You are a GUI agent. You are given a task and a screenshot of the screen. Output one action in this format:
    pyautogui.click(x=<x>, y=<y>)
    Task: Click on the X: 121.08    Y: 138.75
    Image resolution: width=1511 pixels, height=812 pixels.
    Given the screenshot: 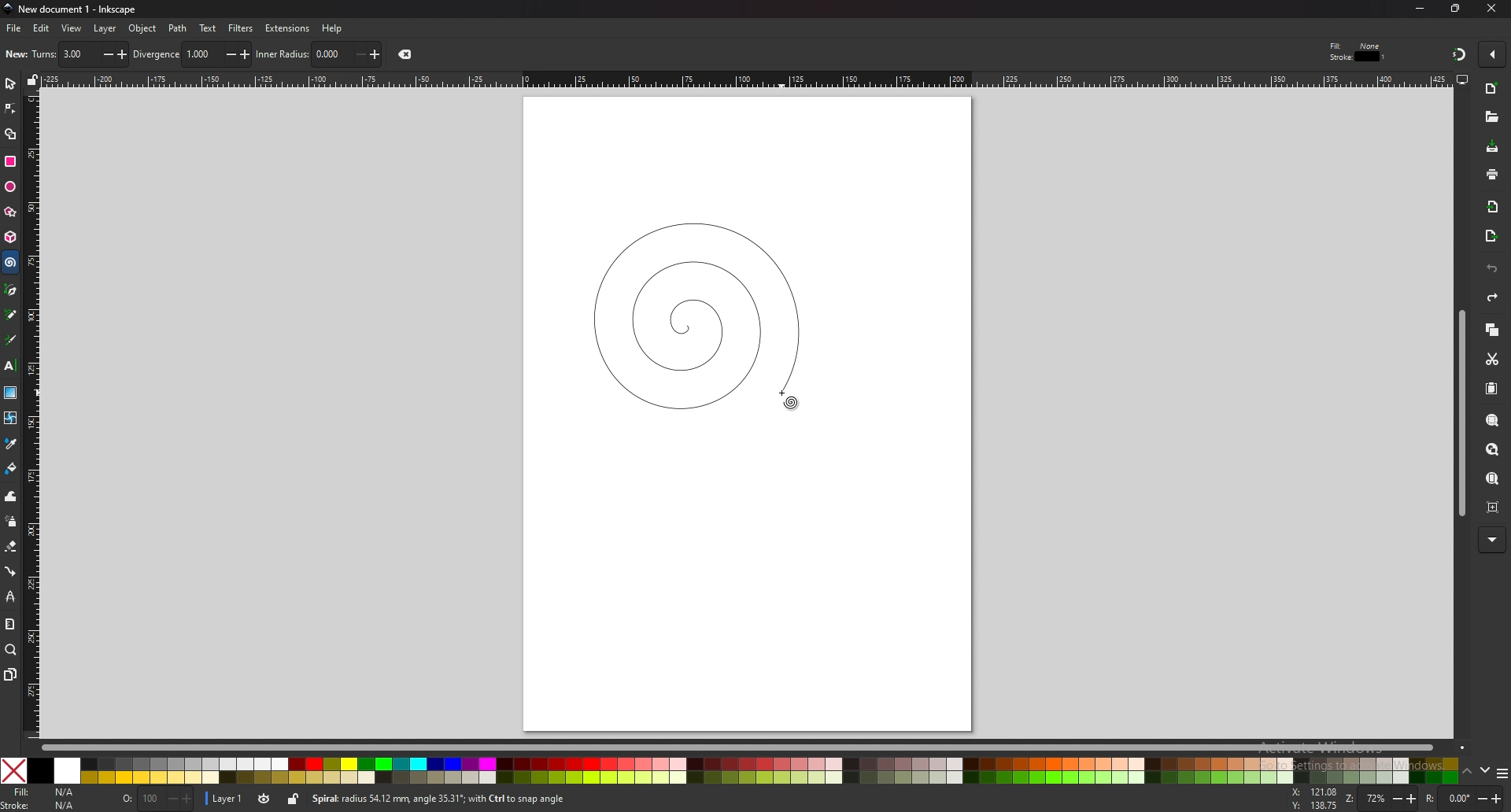 What is the action you would take?
    pyautogui.click(x=1314, y=799)
    